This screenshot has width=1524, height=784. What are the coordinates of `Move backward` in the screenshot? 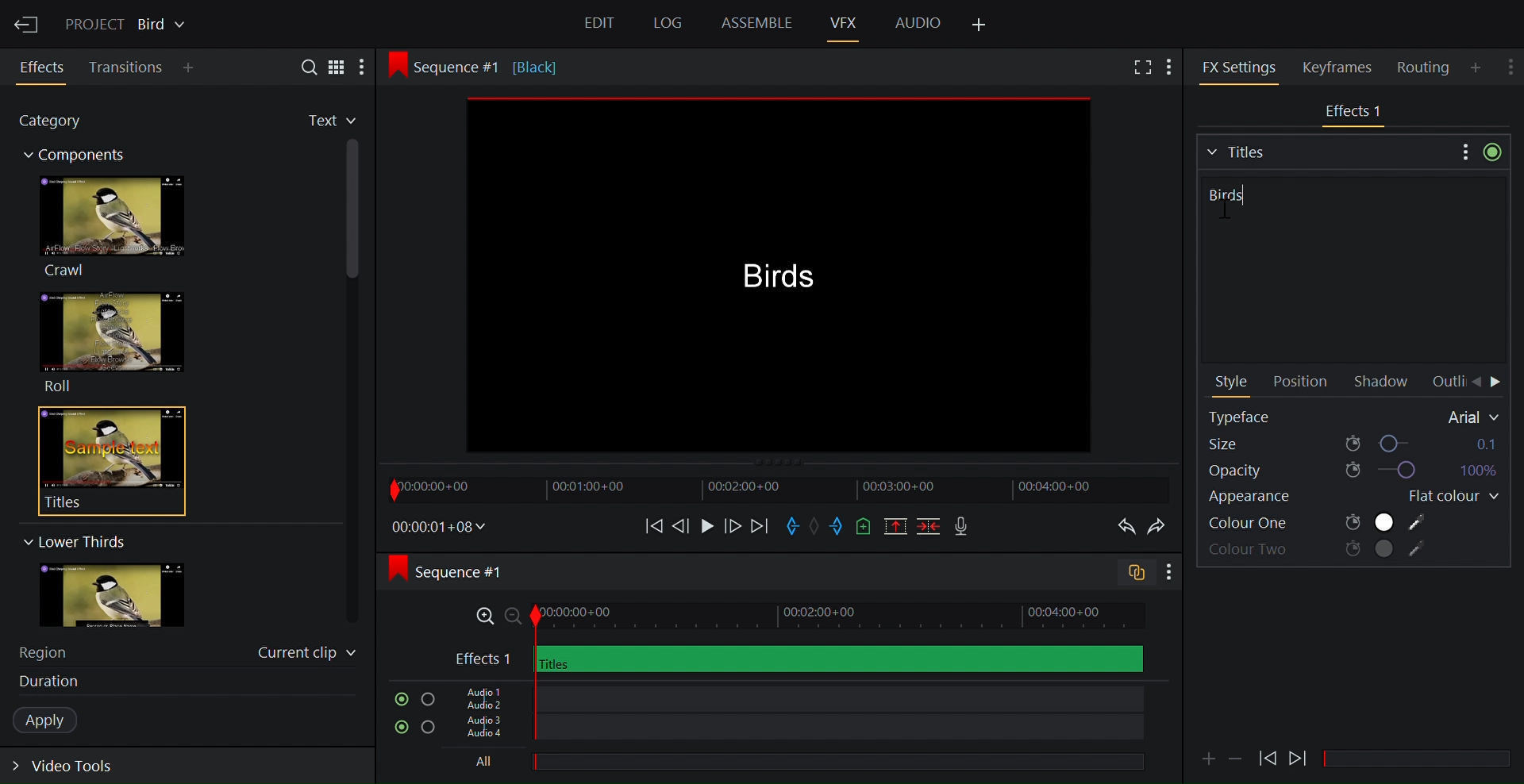 It's located at (648, 525).